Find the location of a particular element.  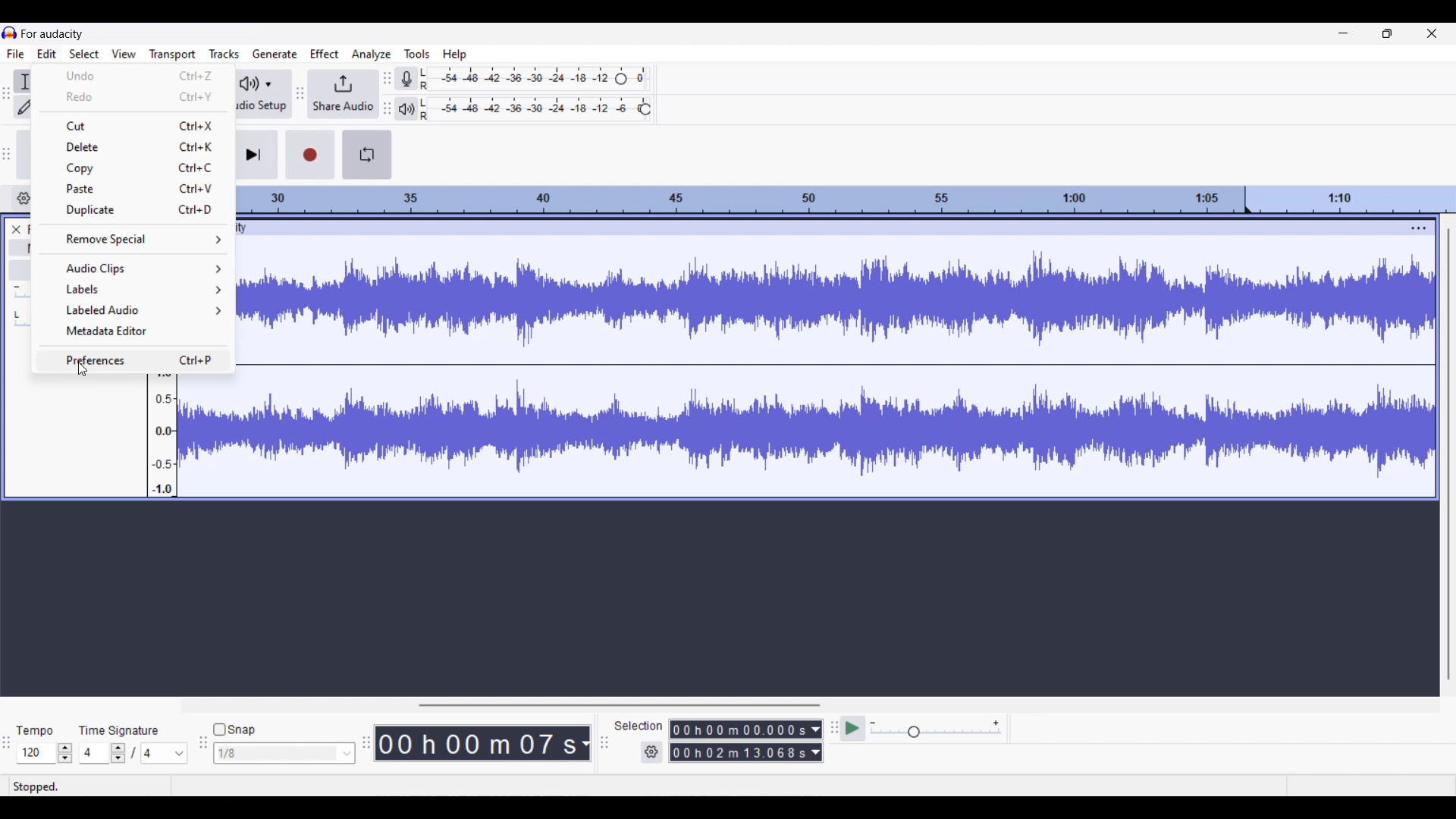

Metadata editor is located at coordinates (133, 331).